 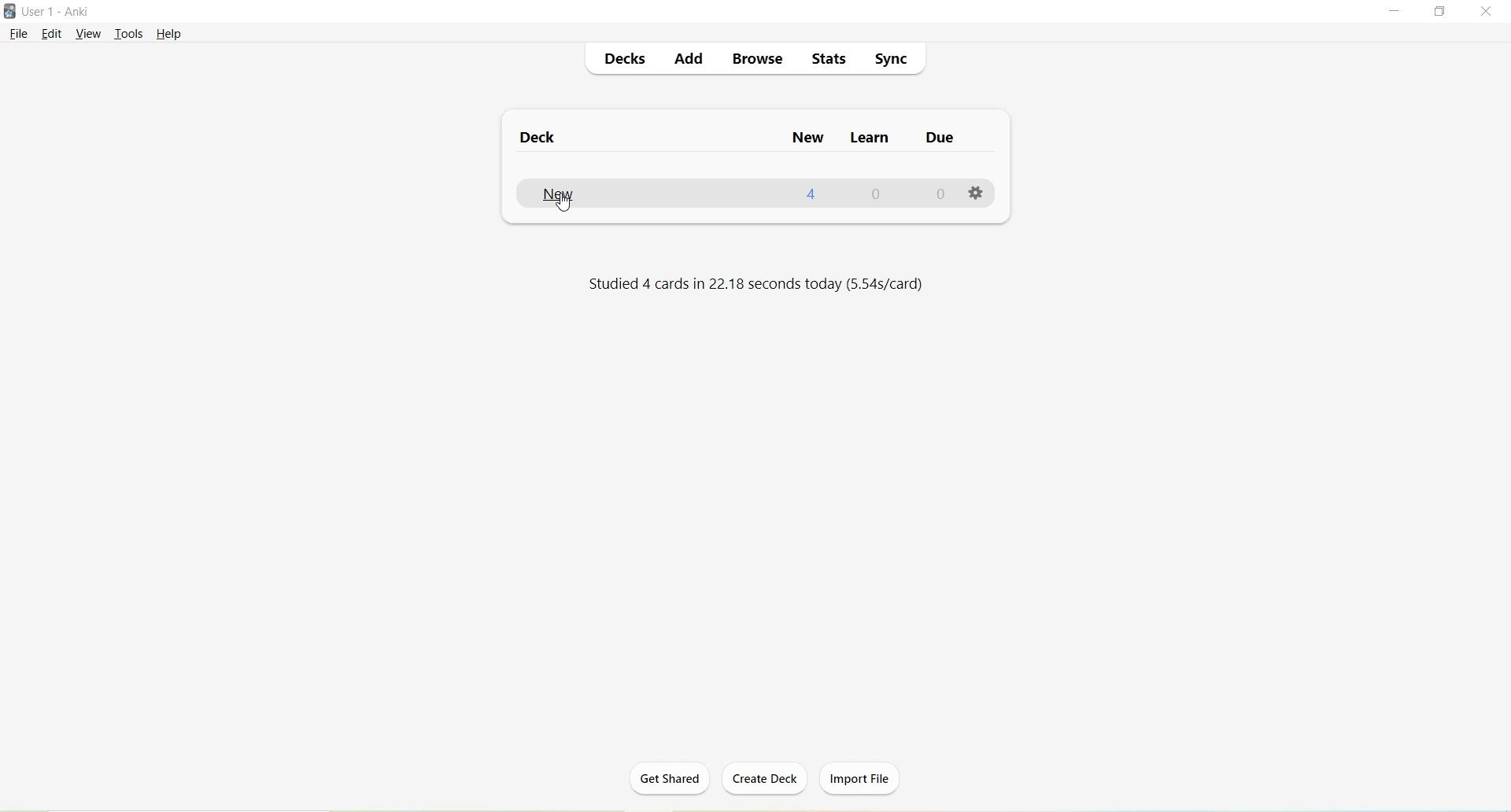 What do you see at coordinates (891, 61) in the screenshot?
I see `Sync` at bounding box center [891, 61].